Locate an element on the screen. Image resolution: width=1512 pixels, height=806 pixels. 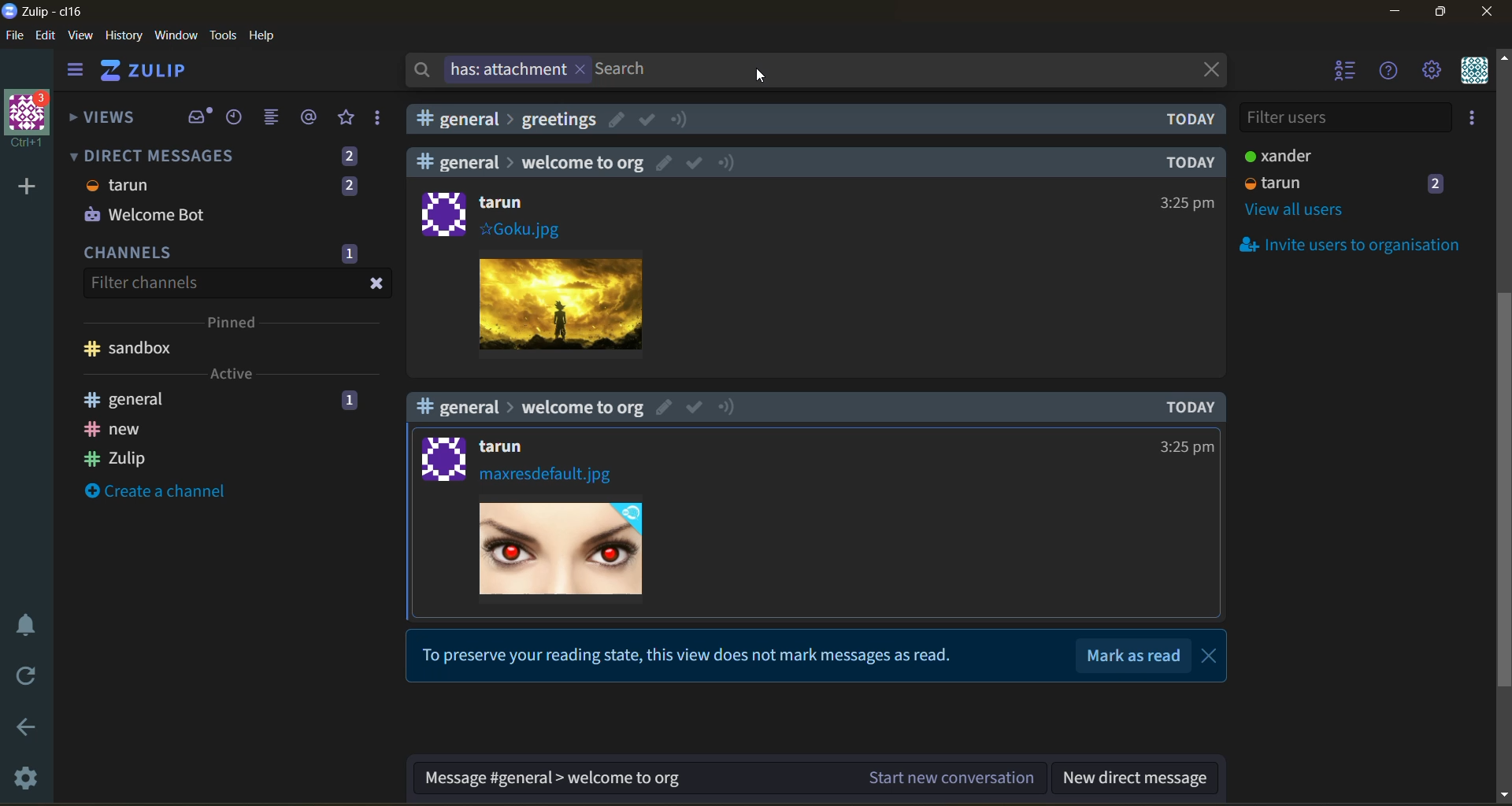
mentions is located at coordinates (310, 117).